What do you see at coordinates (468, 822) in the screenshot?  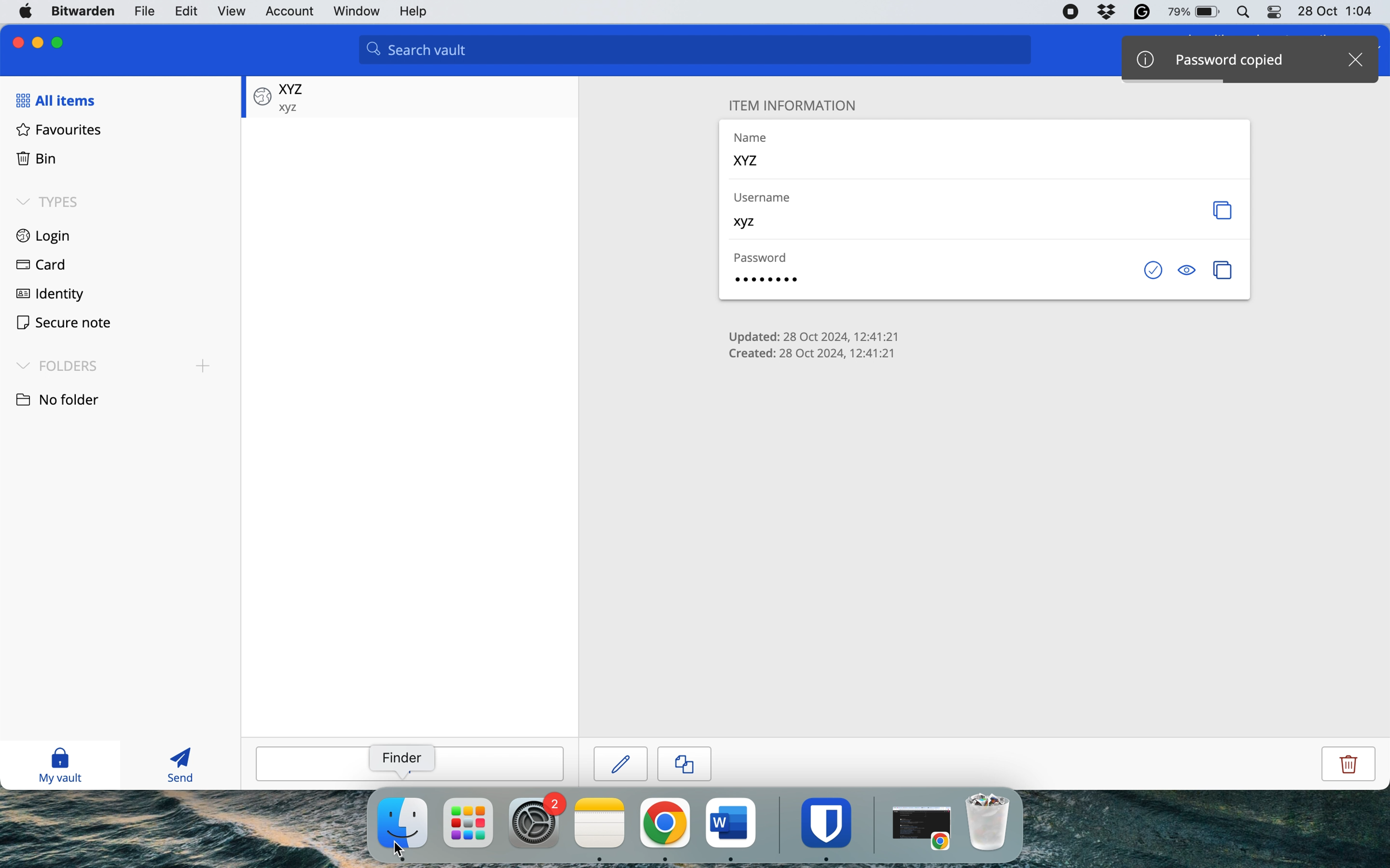 I see `launchpad` at bounding box center [468, 822].